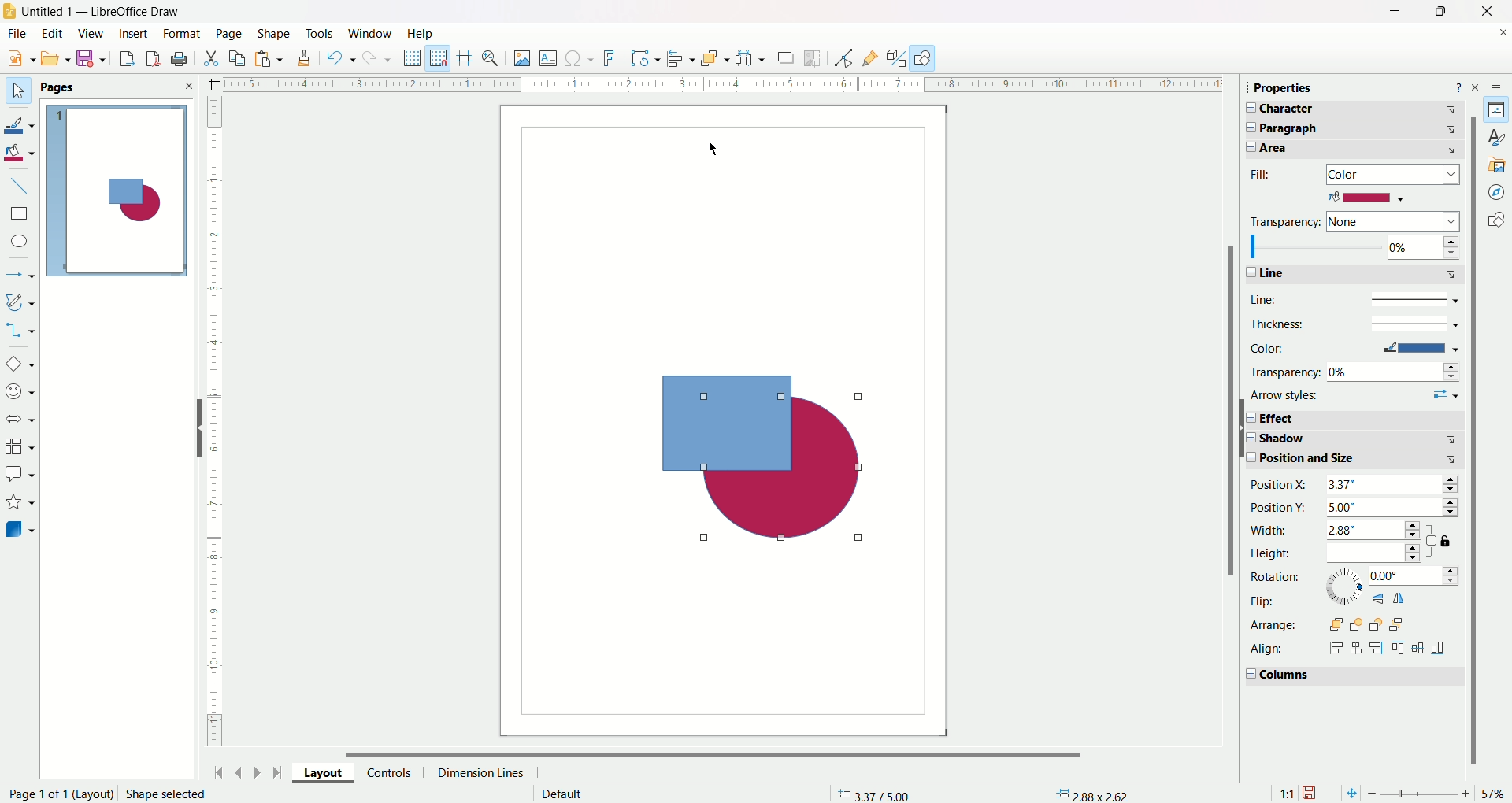 Image resolution: width=1512 pixels, height=803 pixels. Describe the element at coordinates (20, 473) in the screenshot. I see `callout` at that location.